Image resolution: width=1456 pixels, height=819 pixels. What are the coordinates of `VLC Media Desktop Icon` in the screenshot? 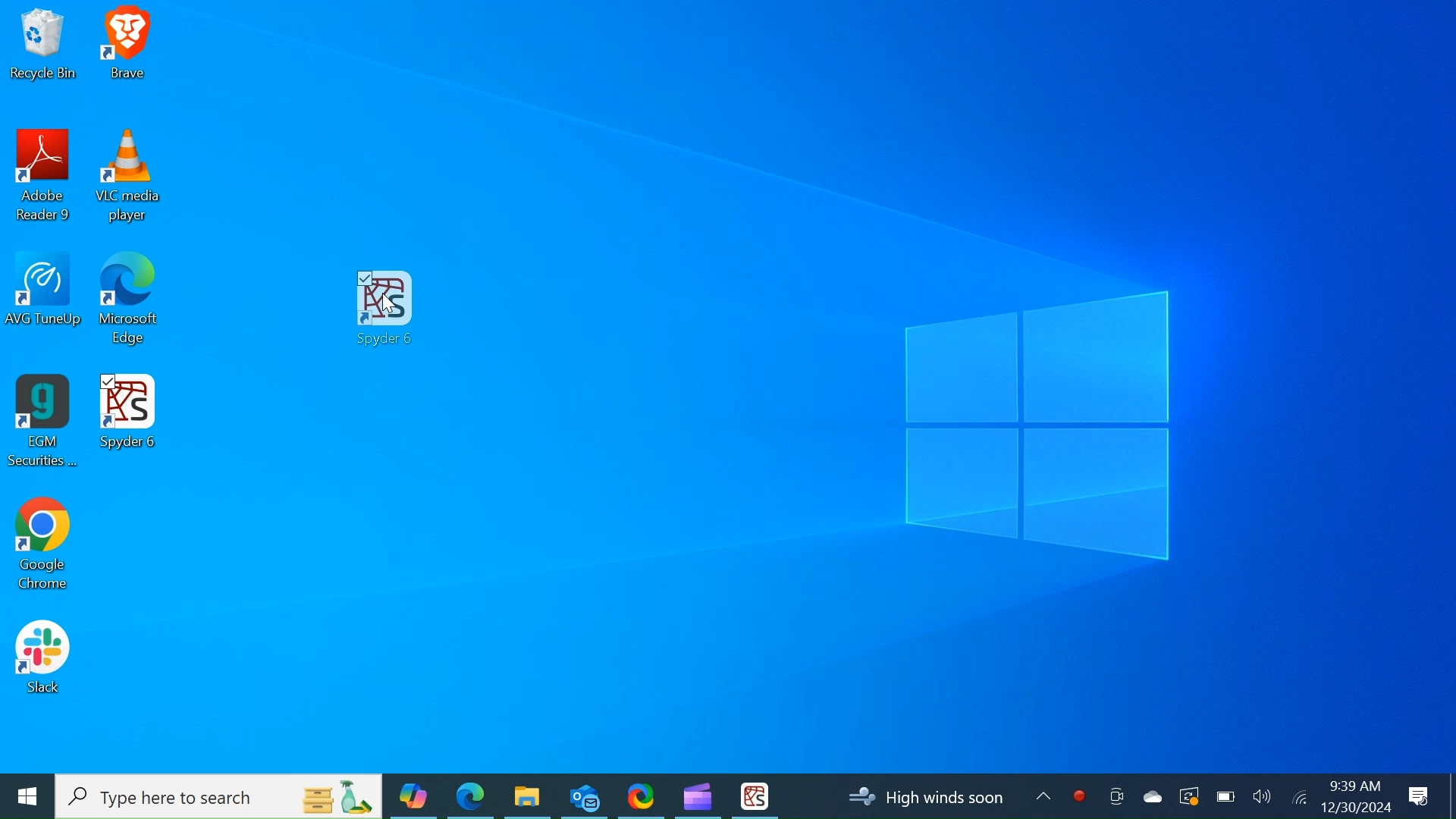 It's located at (129, 178).